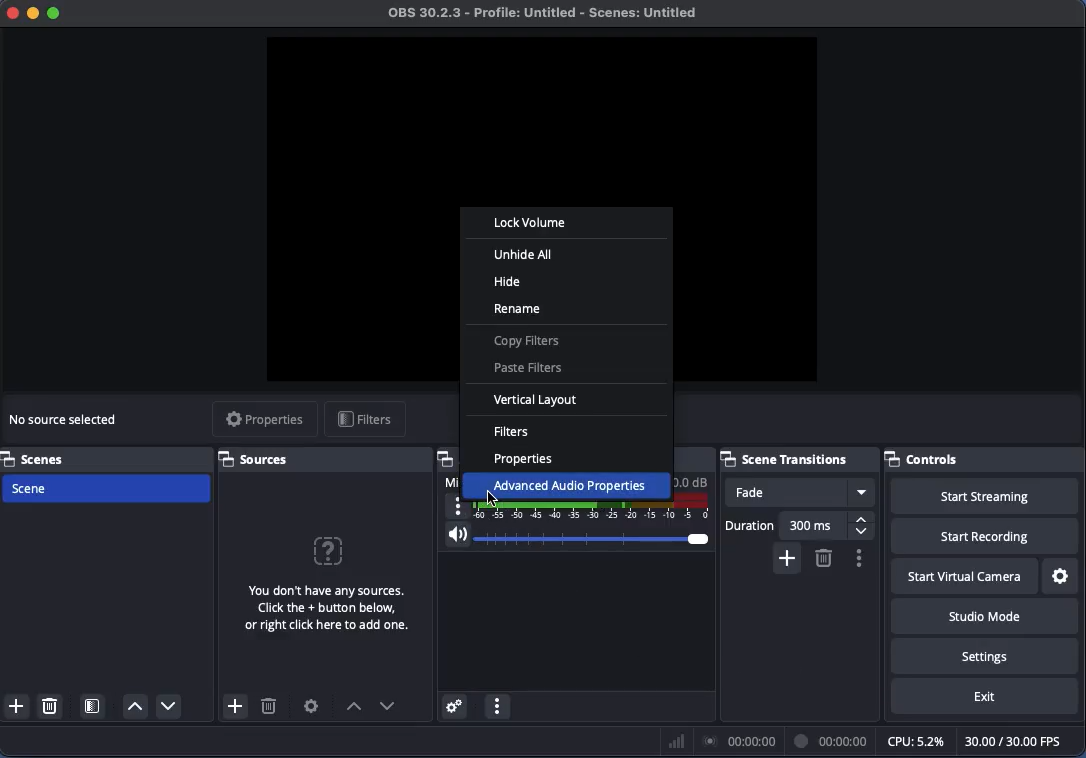  Describe the element at coordinates (233, 706) in the screenshot. I see `Add source` at that location.